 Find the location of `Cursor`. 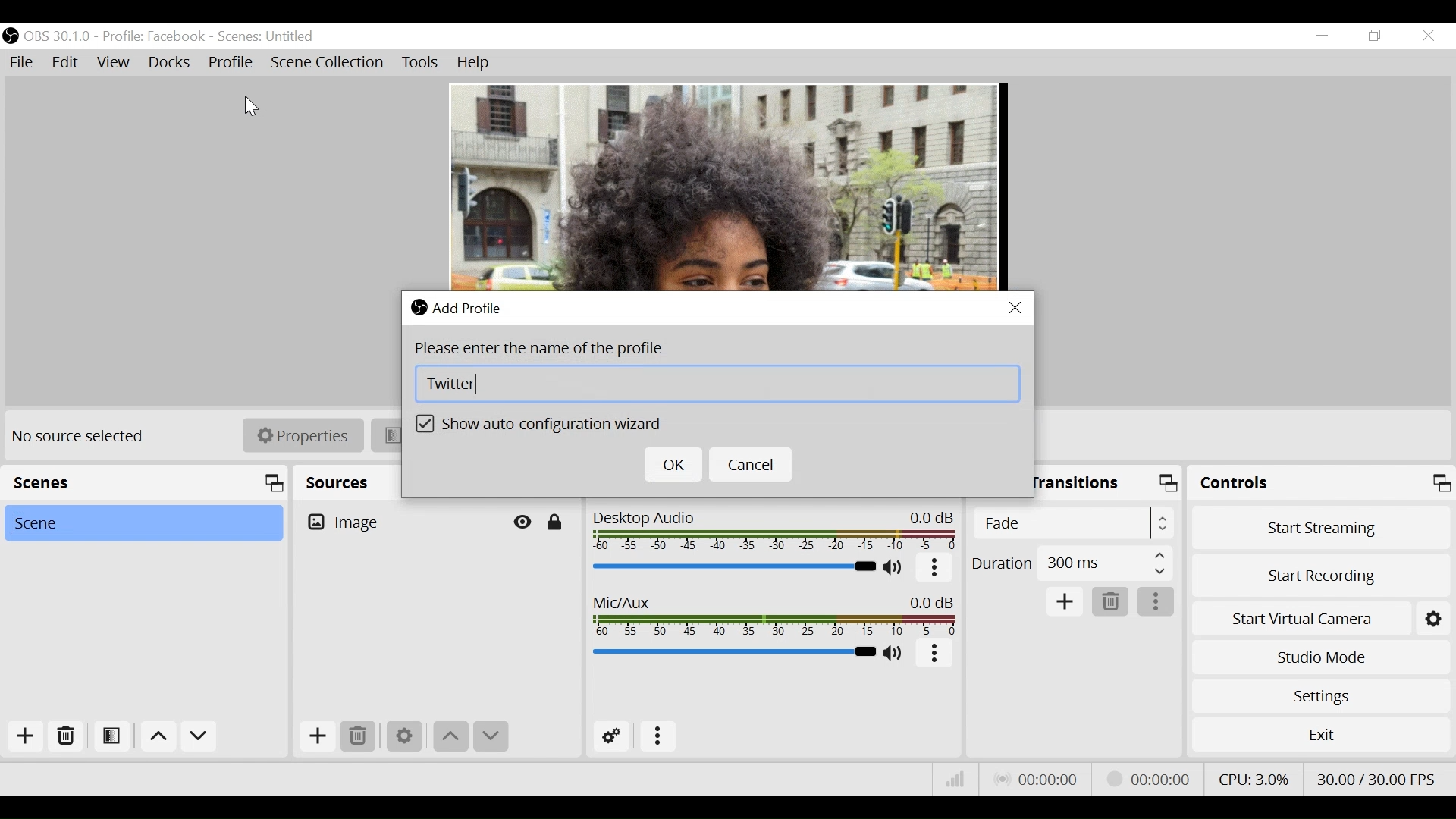

Cursor is located at coordinates (248, 102).